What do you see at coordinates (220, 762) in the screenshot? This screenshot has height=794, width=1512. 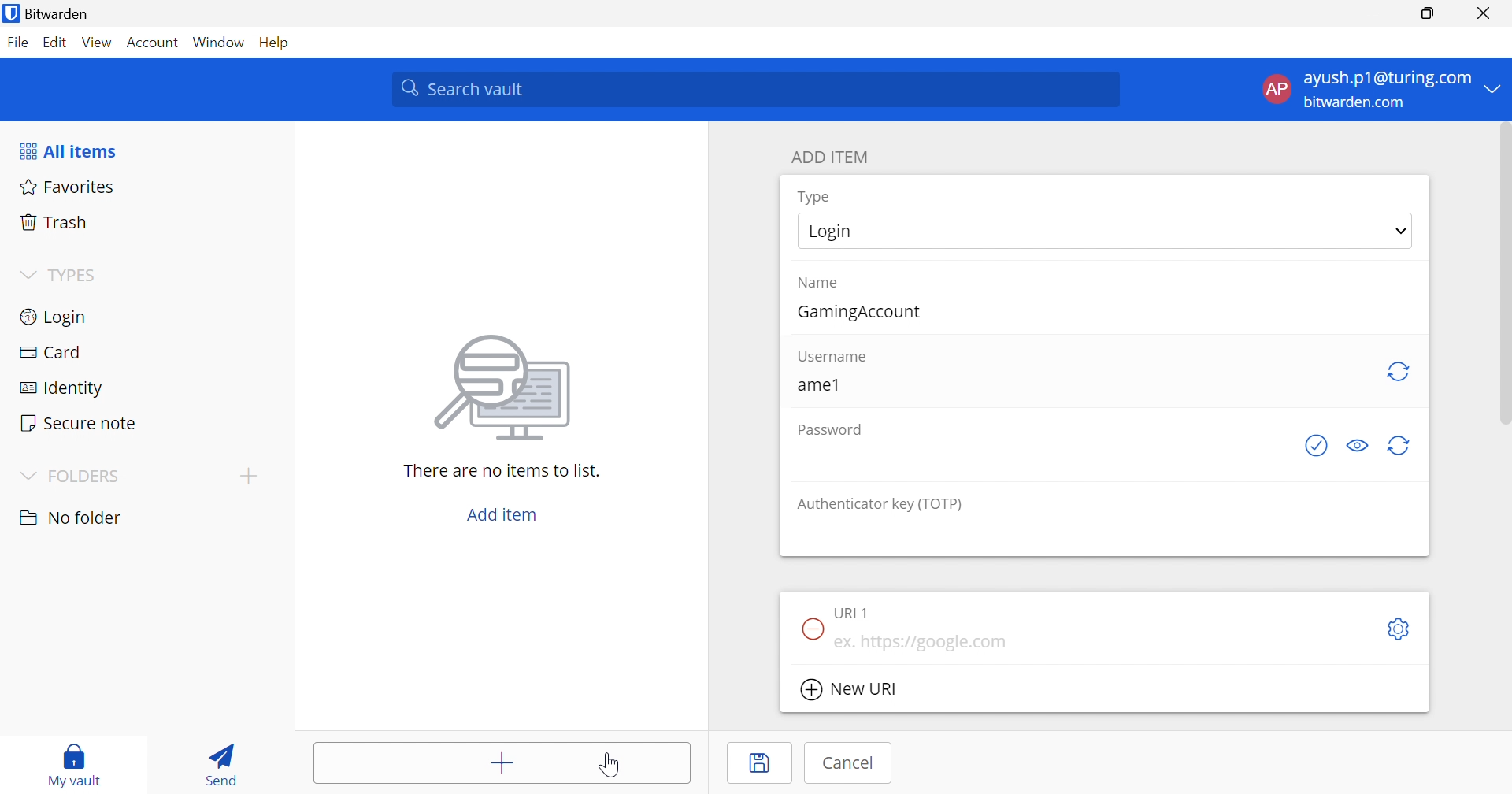 I see `Send` at bounding box center [220, 762].